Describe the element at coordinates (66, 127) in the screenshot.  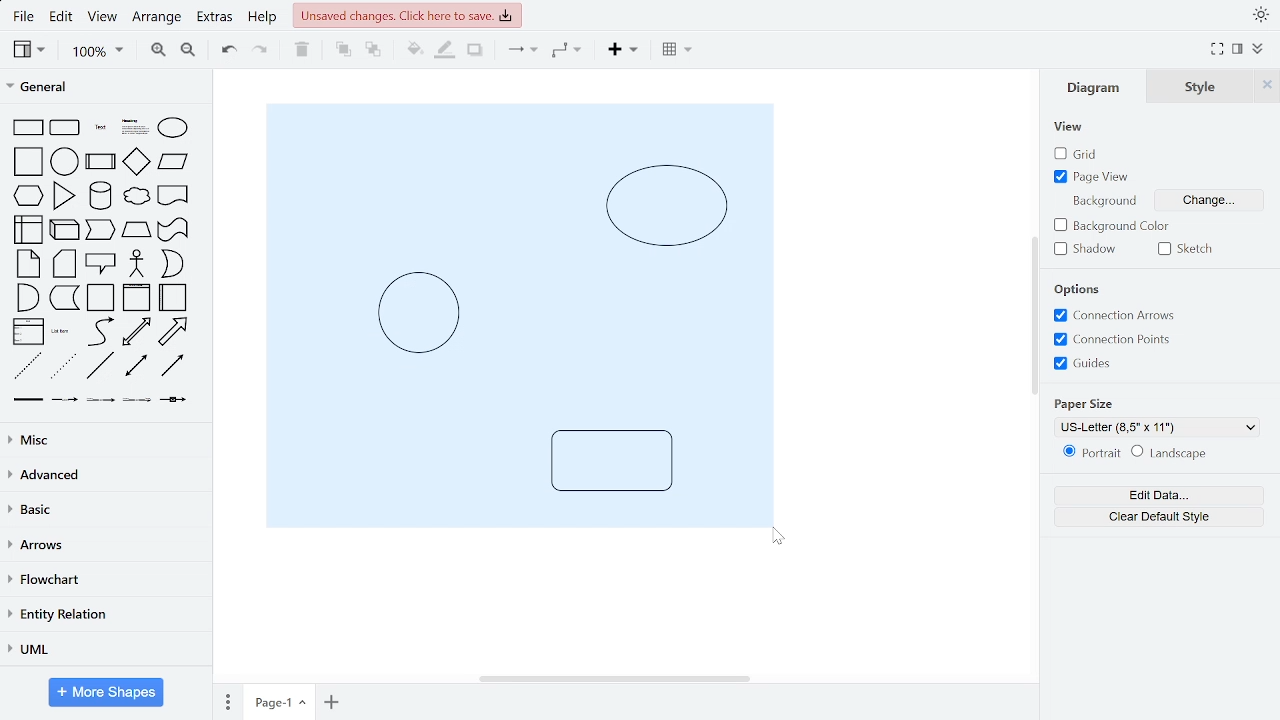
I see `rounded rectangle` at that location.